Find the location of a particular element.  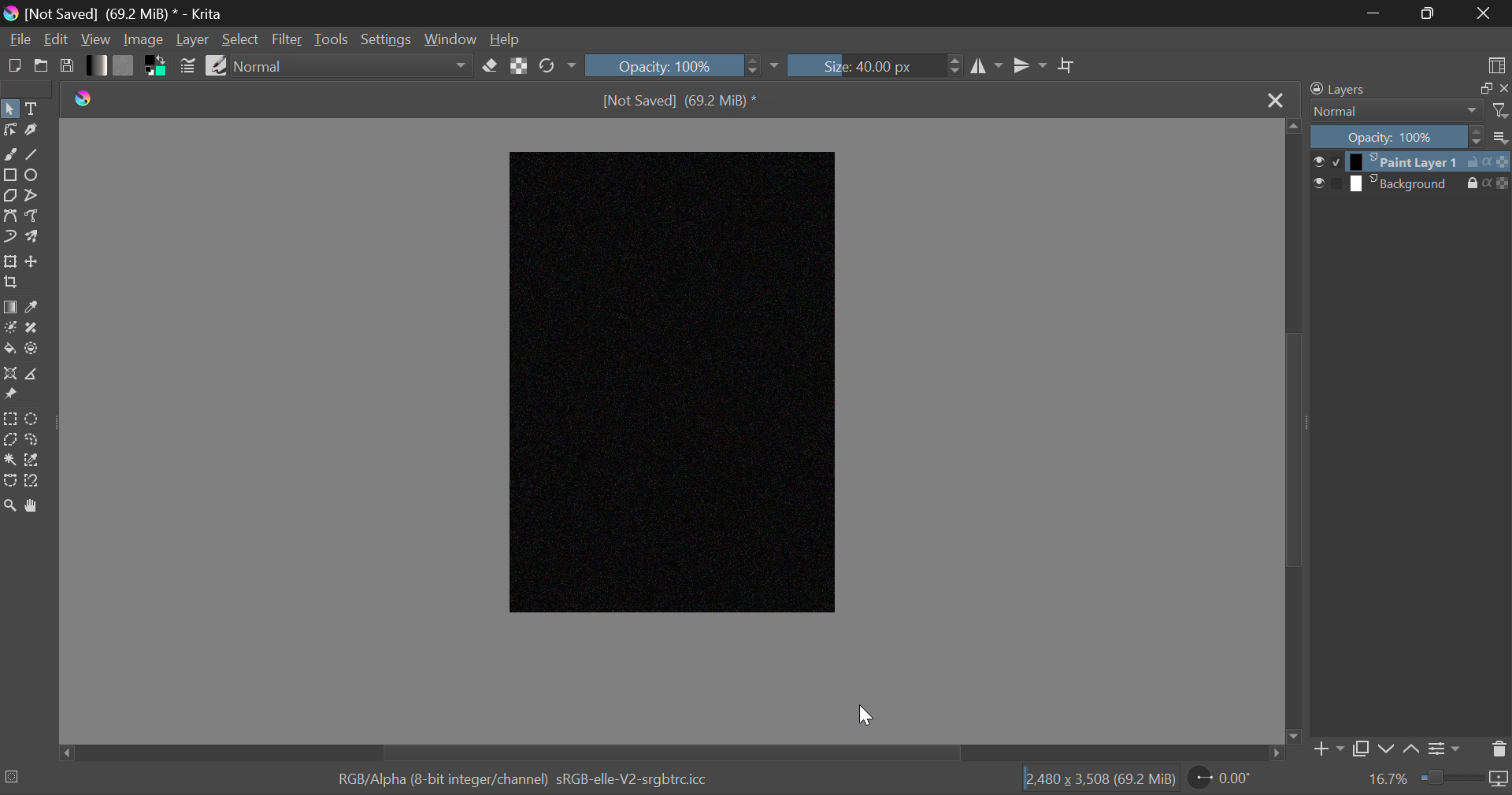

2,480x3508 (69.2) mib is located at coordinates (1095, 782).